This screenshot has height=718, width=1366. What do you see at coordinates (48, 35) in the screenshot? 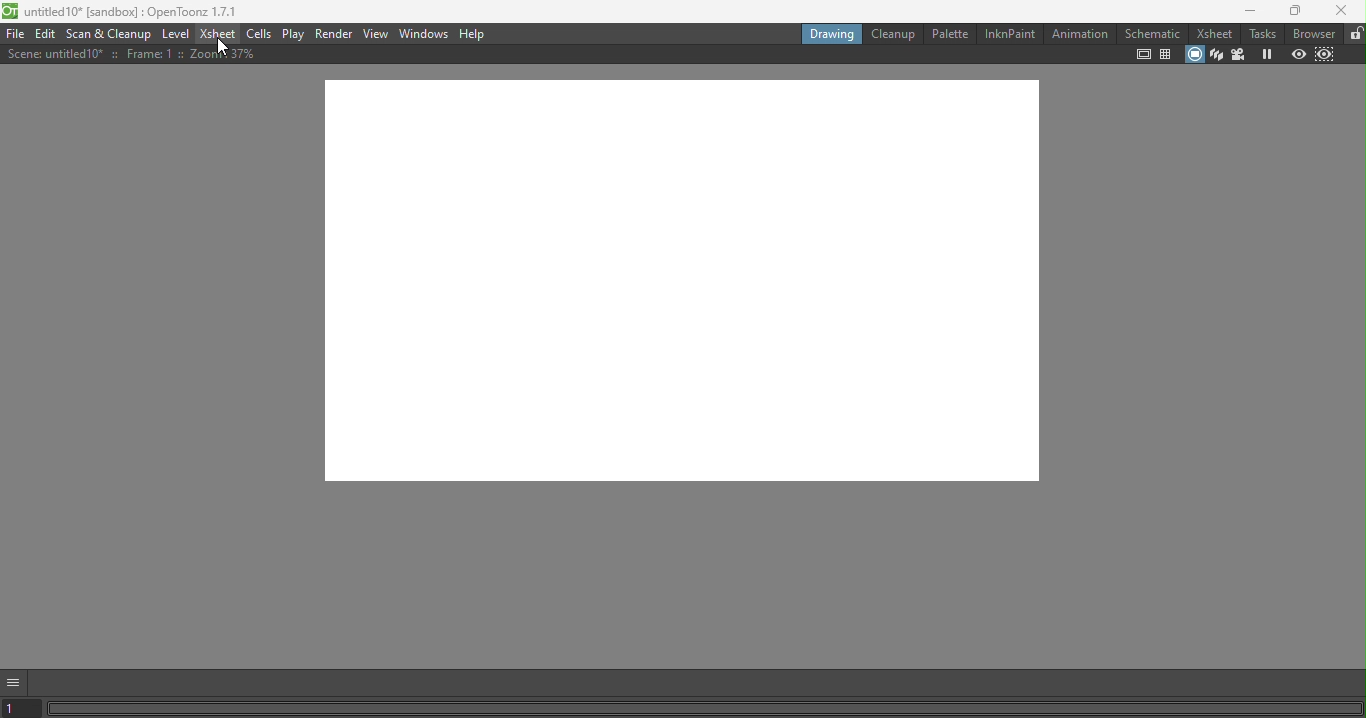
I see `Edit` at bounding box center [48, 35].